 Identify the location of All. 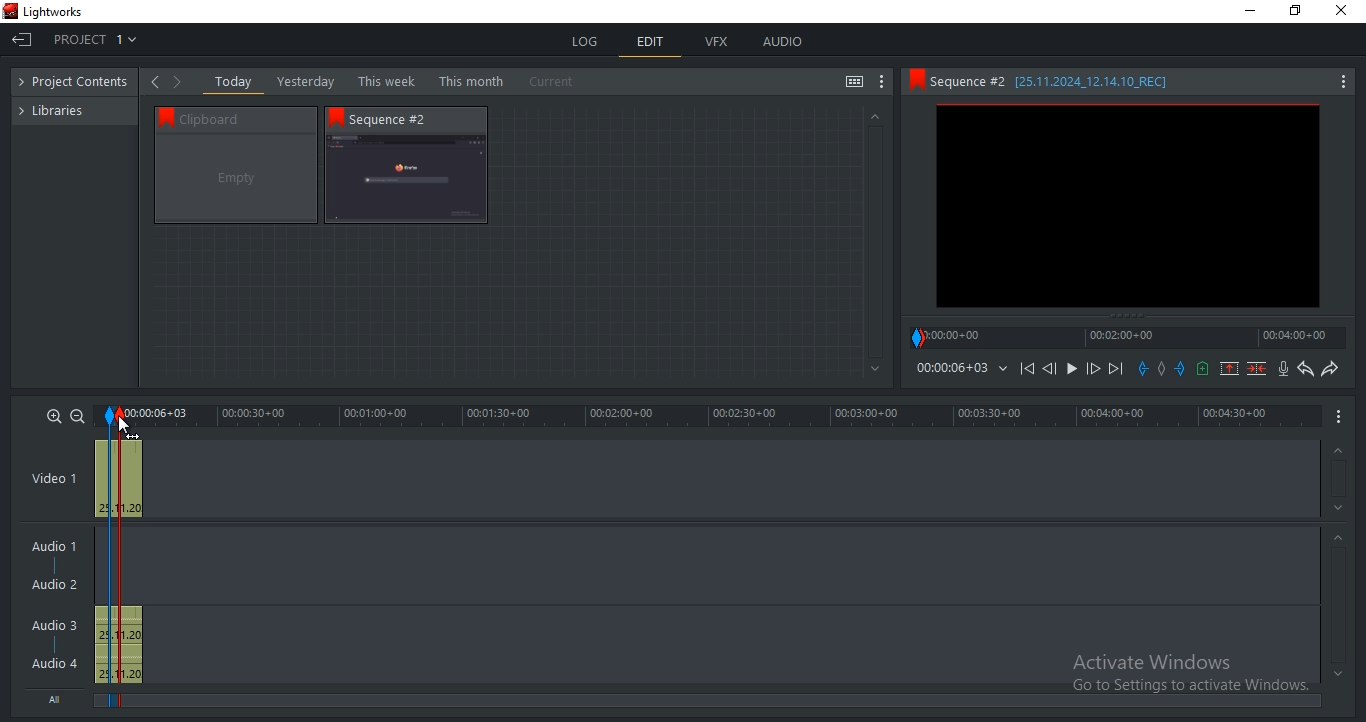
(59, 697).